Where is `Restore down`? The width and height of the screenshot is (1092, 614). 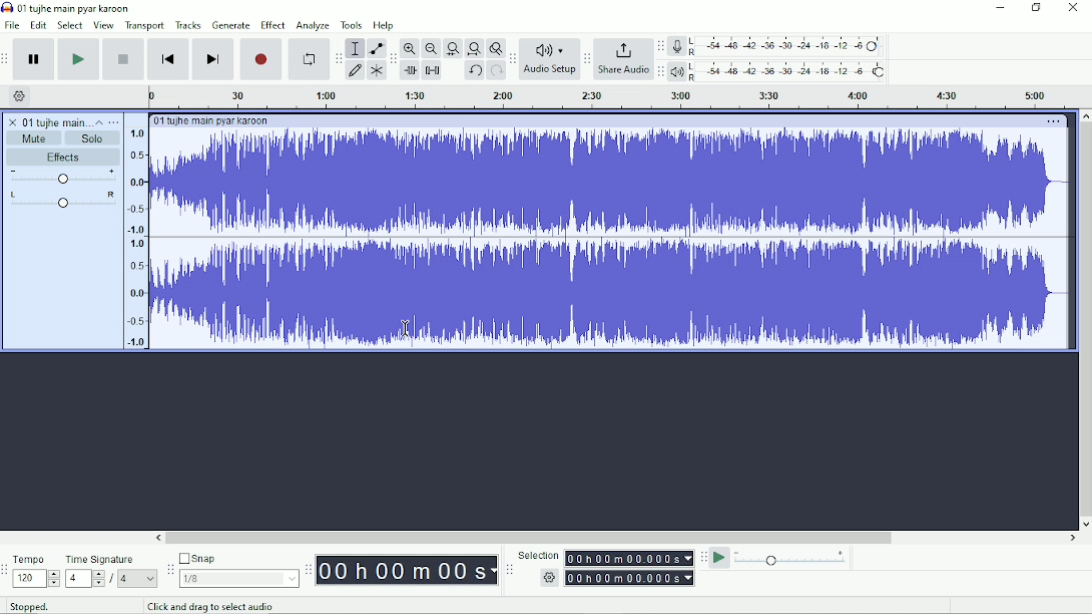 Restore down is located at coordinates (1035, 8).